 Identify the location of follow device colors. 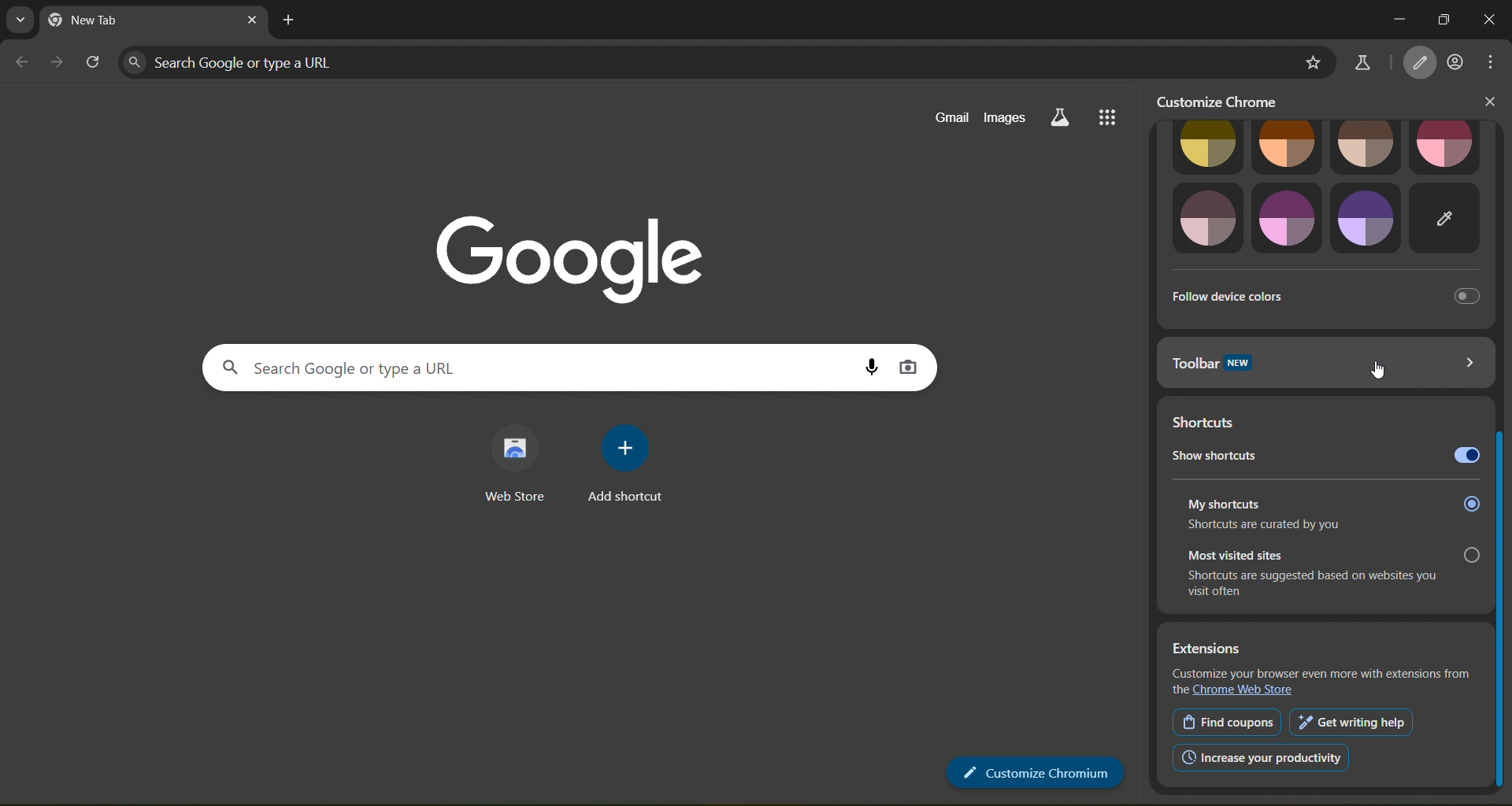
(1328, 294).